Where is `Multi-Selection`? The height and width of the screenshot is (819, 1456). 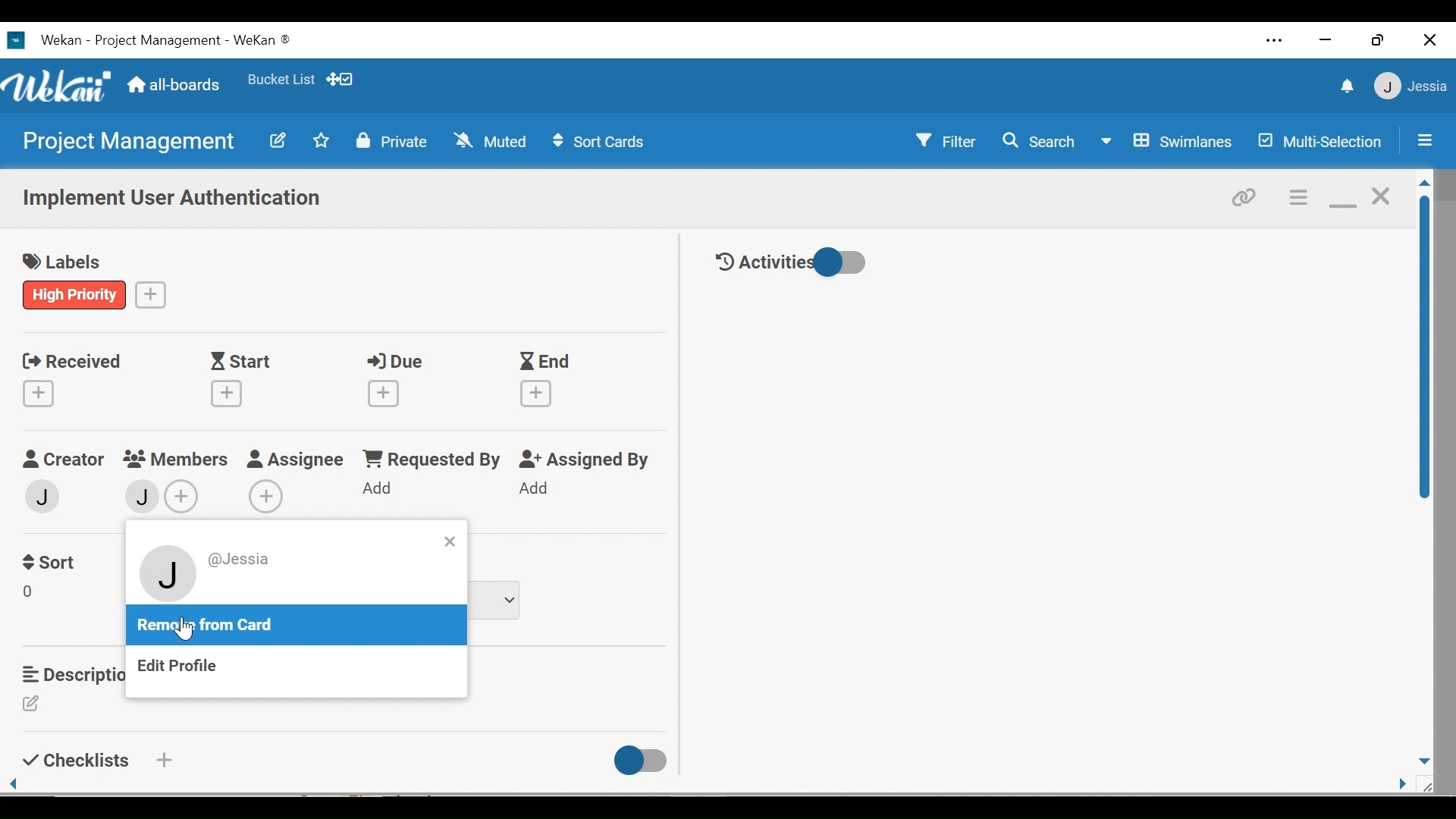 Multi-Selection is located at coordinates (1323, 142).